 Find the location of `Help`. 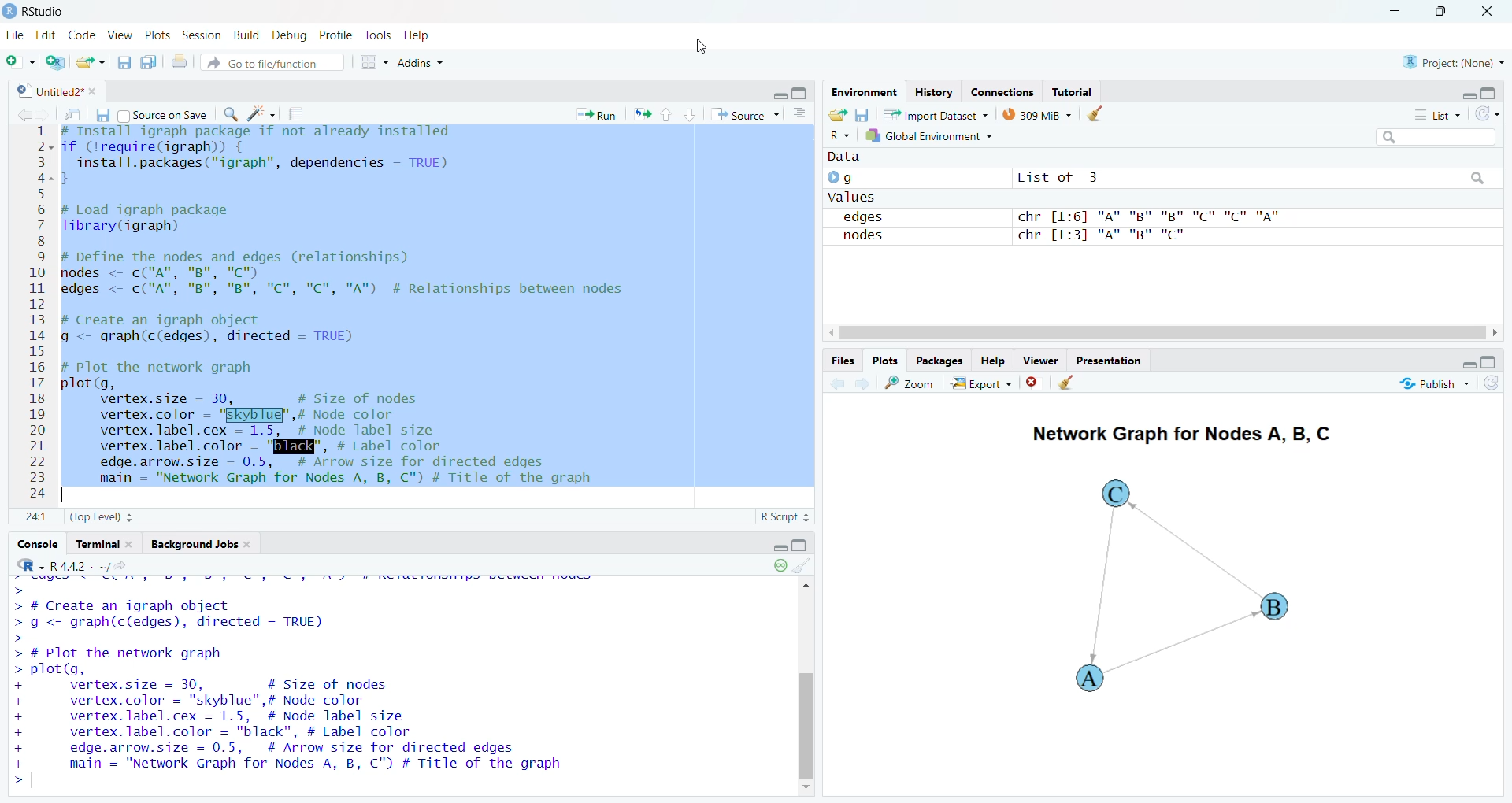

Help is located at coordinates (991, 358).